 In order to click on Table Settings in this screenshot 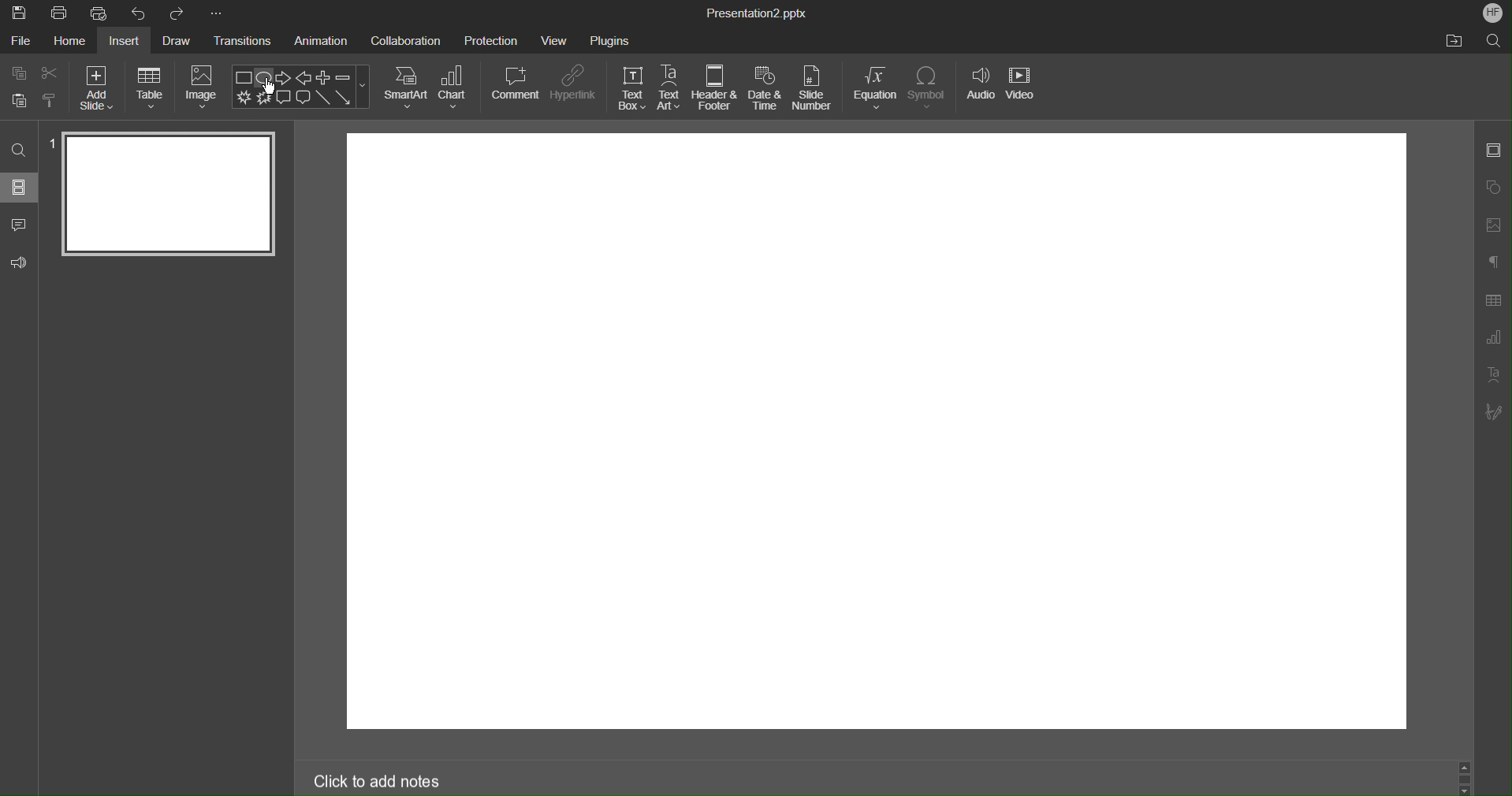, I will do `click(1492, 300)`.